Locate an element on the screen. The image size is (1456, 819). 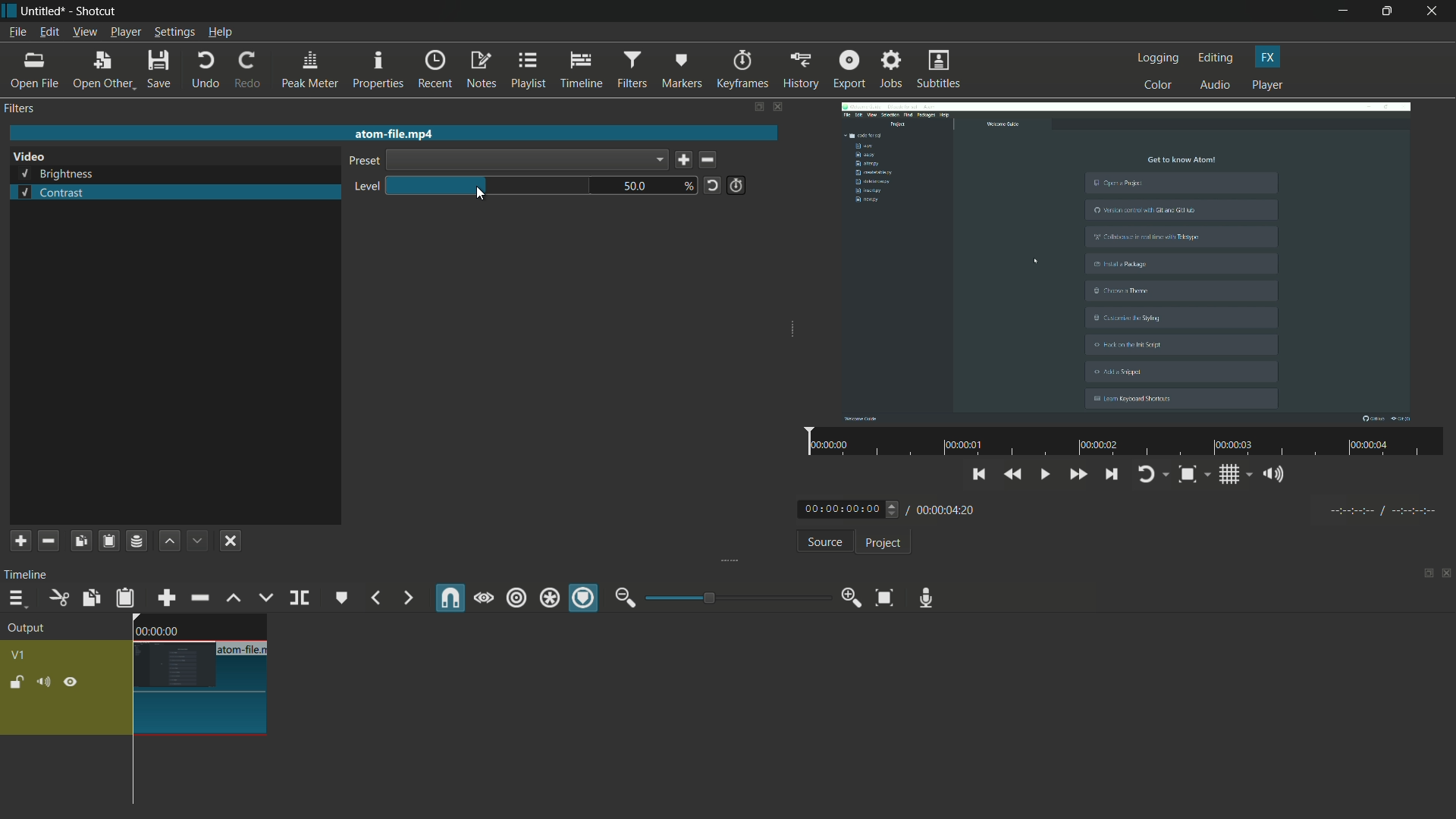
export is located at coordinates (848, 69).